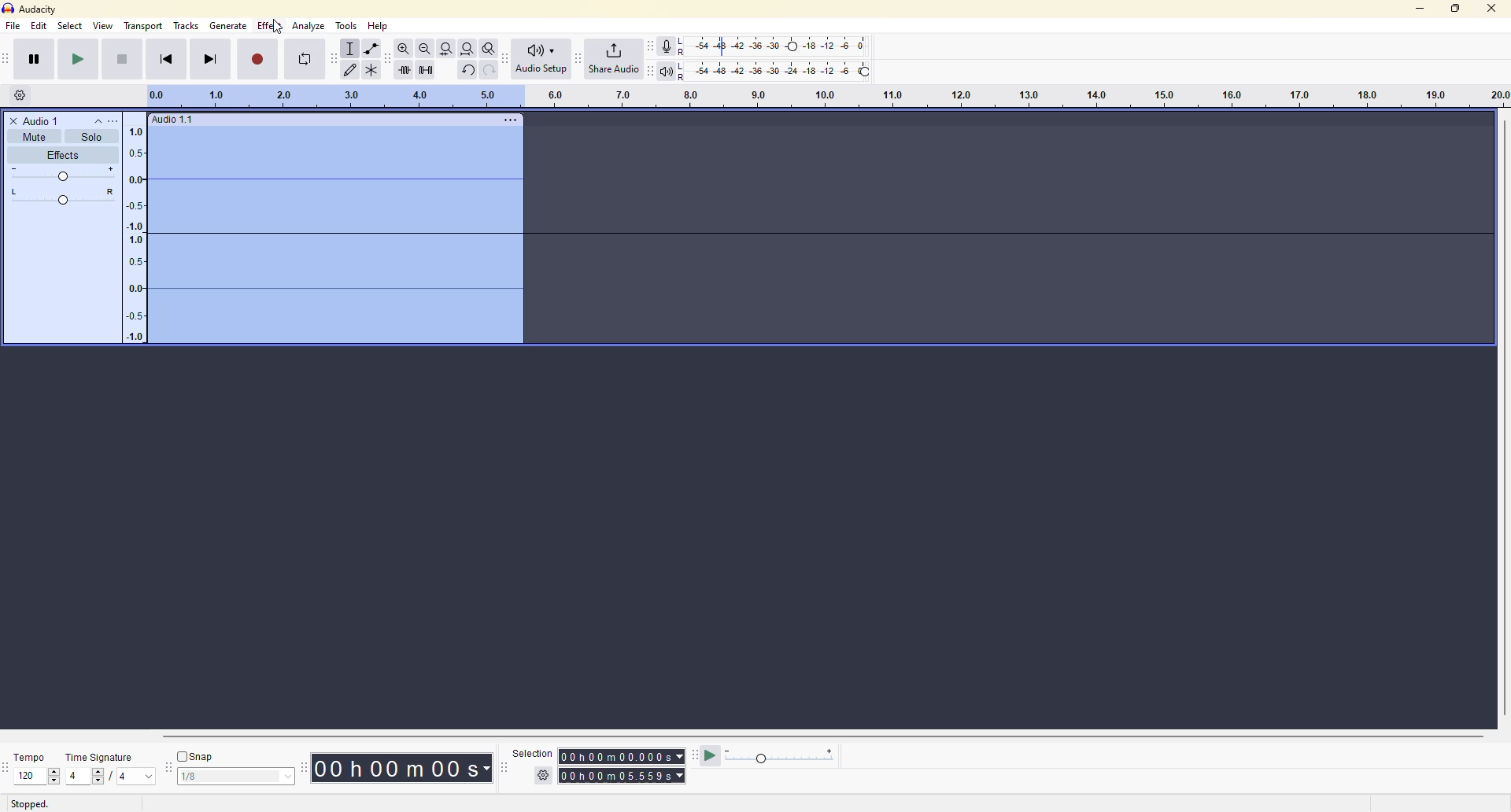 This screenshot has width=1511, height=812. What do you see at coordinates (203, 778) in the screenshot?
I see `1/8` at bounding box center [203, 778].